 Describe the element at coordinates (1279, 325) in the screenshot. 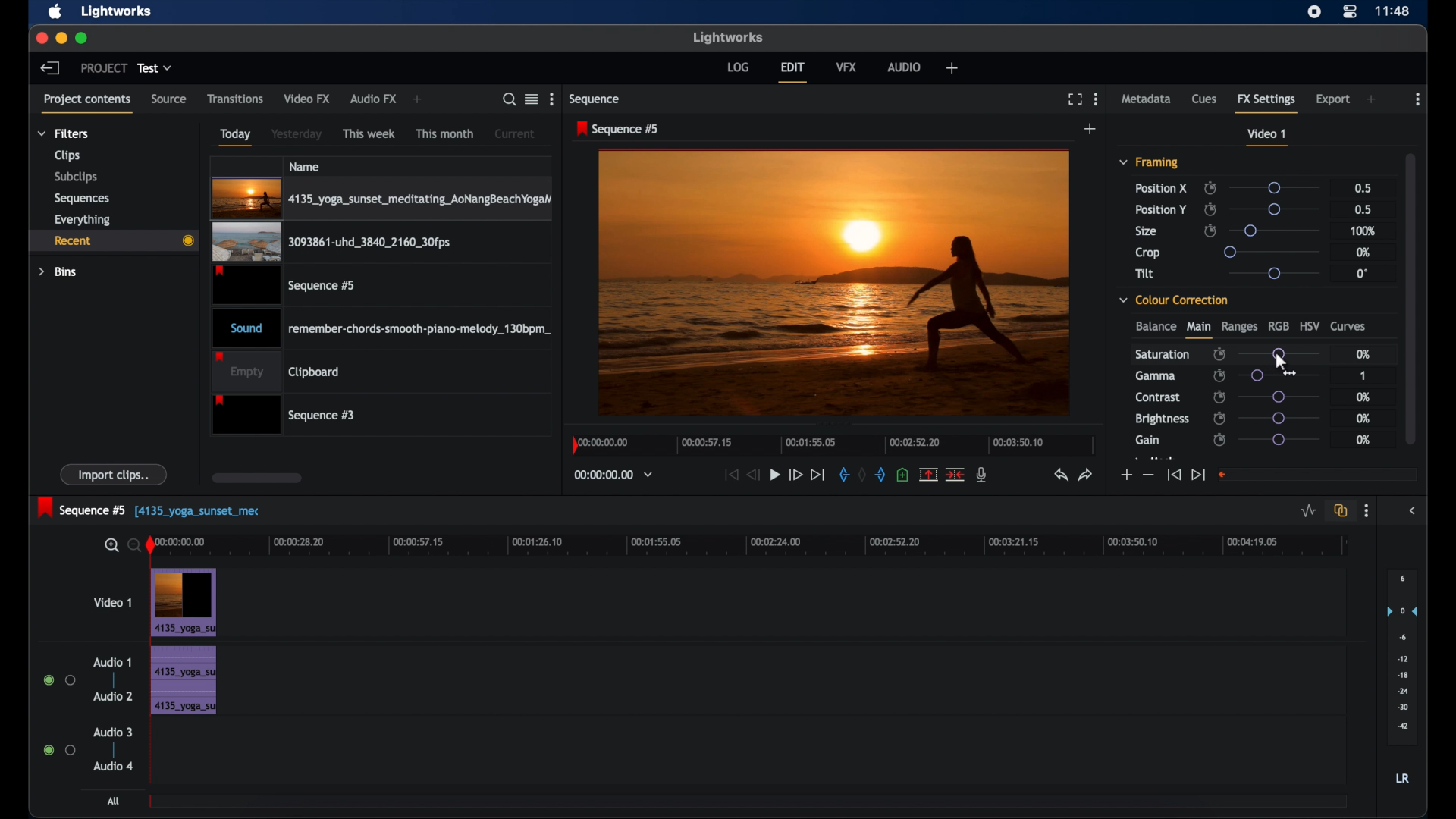

I see `rgb` at that location.